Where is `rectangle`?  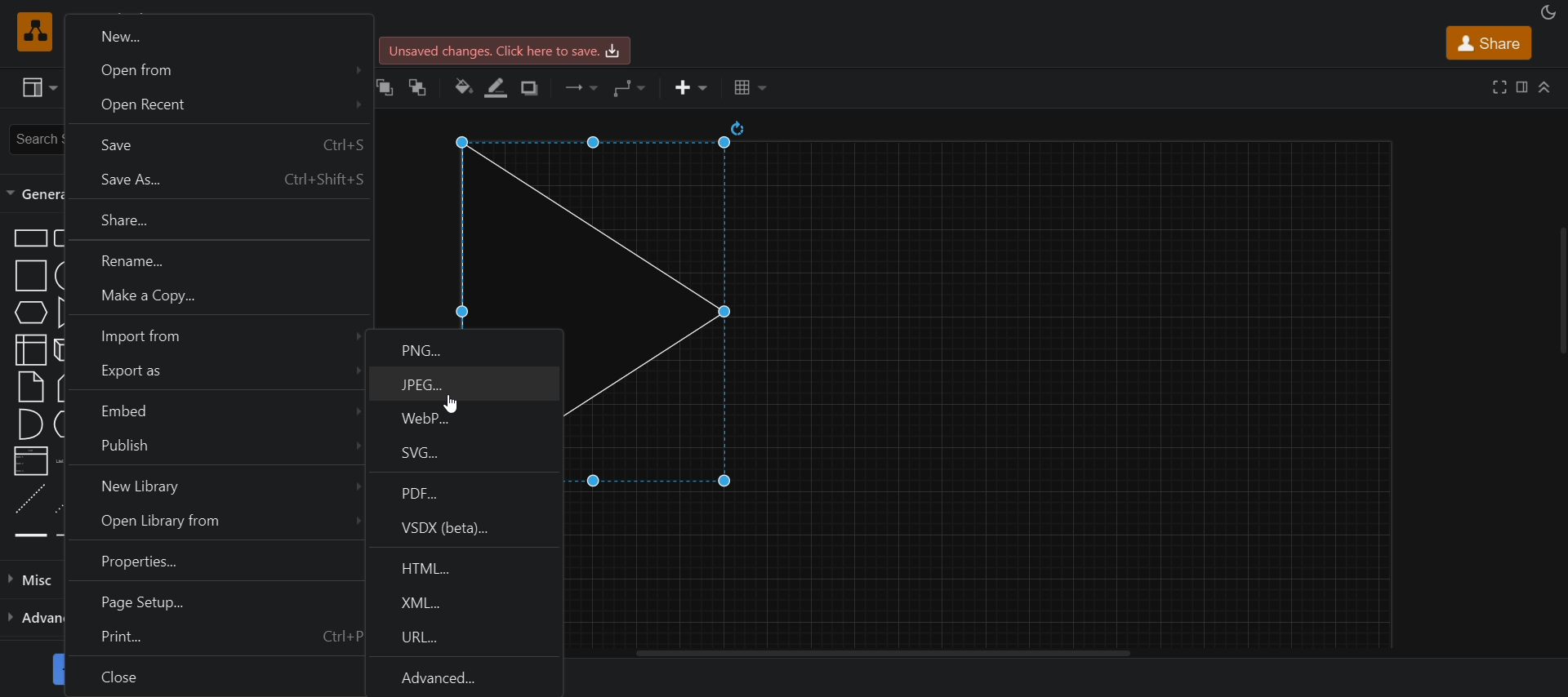
rectangle is located at coordinates (30, 238).